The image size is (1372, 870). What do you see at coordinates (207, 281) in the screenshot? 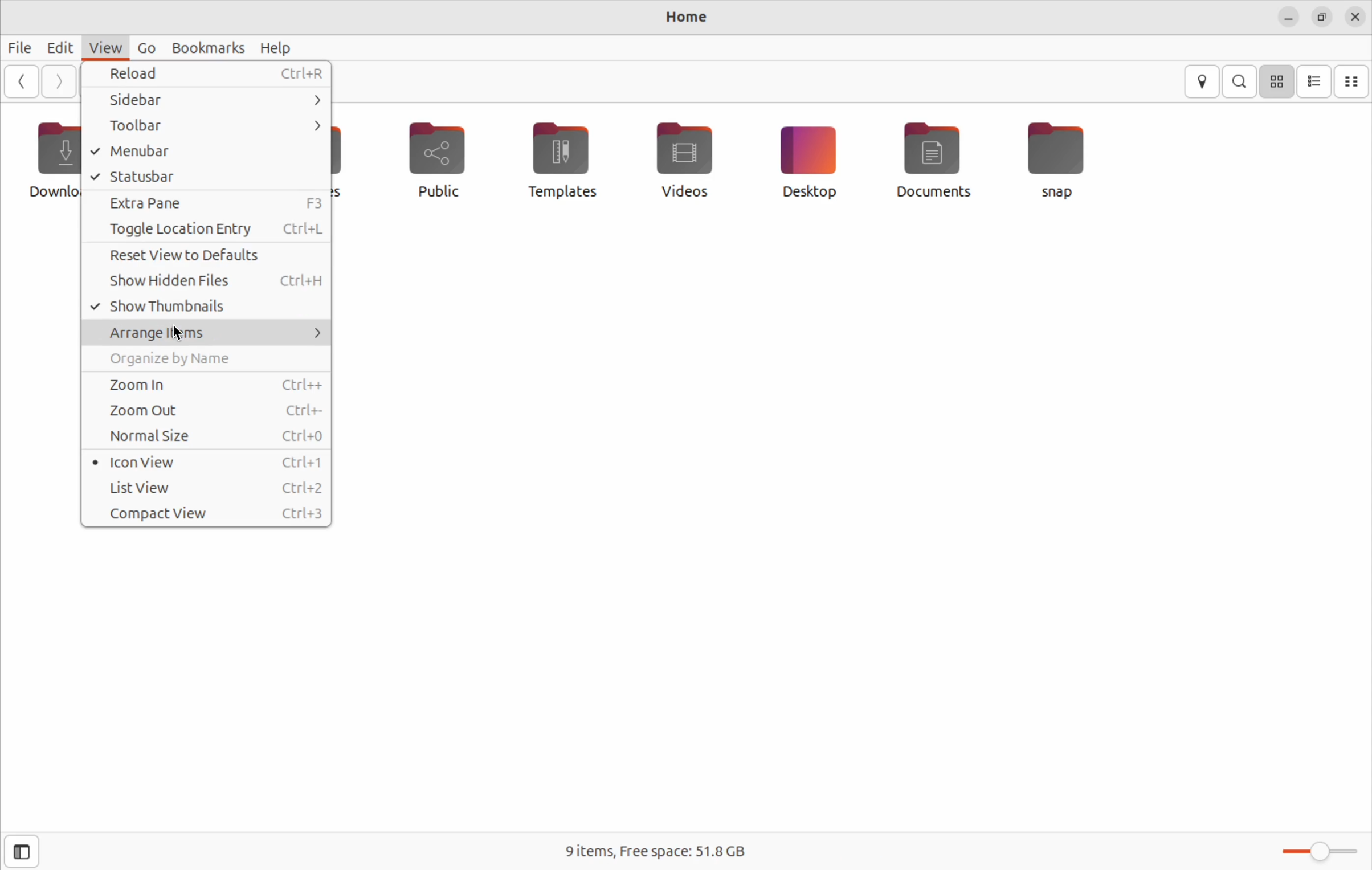
I see `show hidden files` at bounding box center [207, 281].